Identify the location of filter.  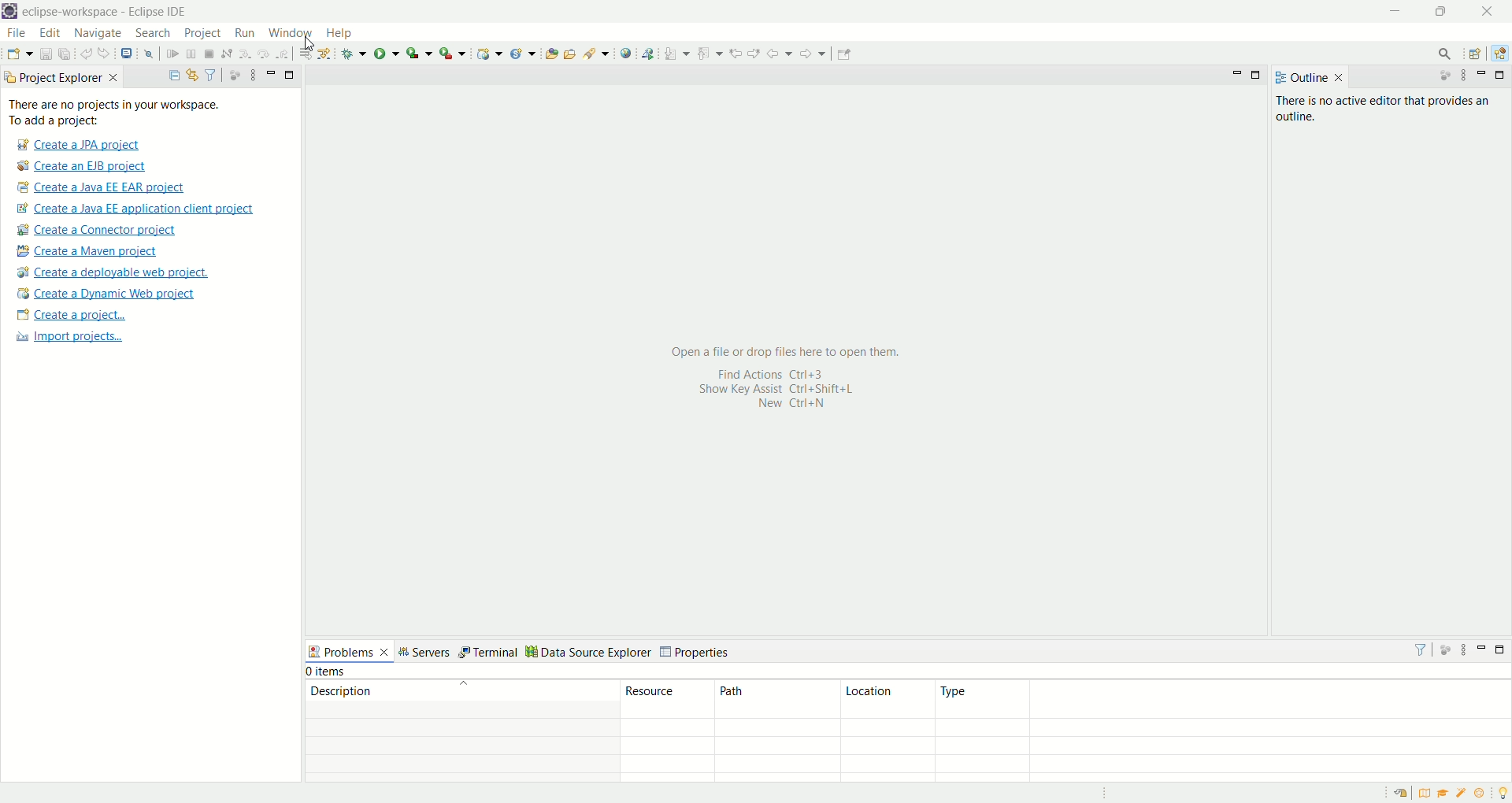
(1422, 649).